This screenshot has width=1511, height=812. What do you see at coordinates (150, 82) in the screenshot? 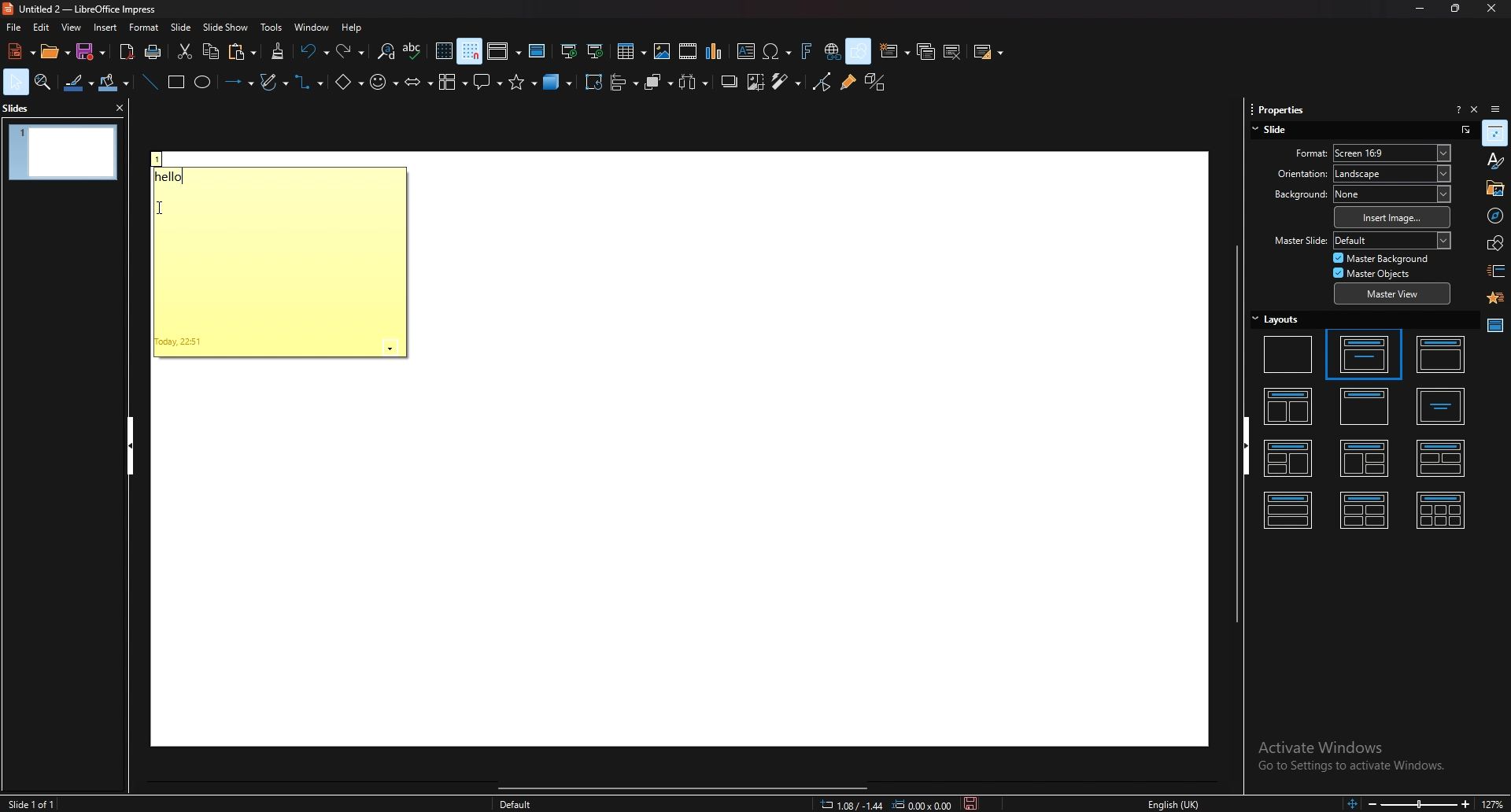
I see `line` at bounding box center [150, 82].